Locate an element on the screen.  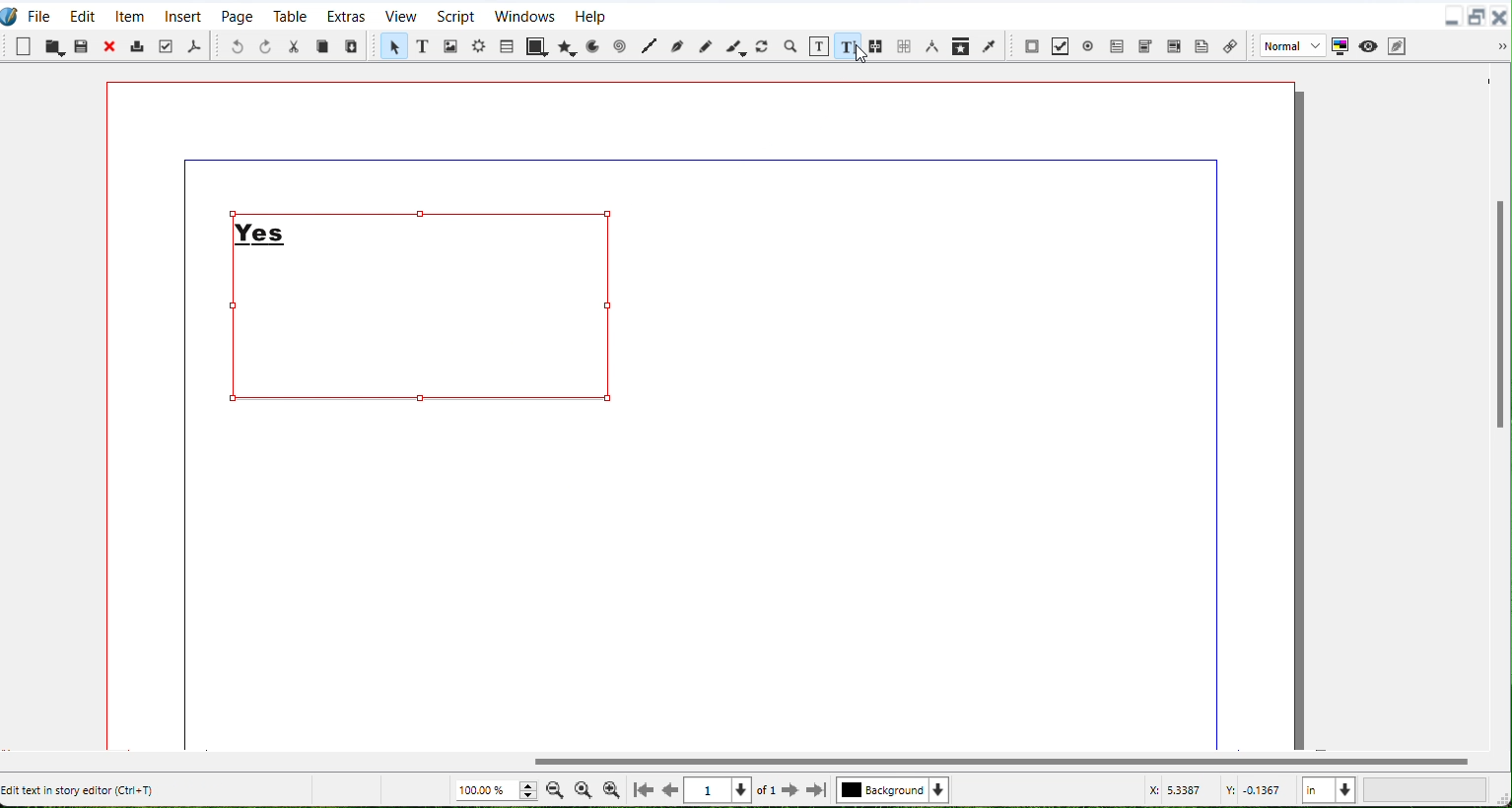
PDF Radio button is located at coordinates (1091, 43).